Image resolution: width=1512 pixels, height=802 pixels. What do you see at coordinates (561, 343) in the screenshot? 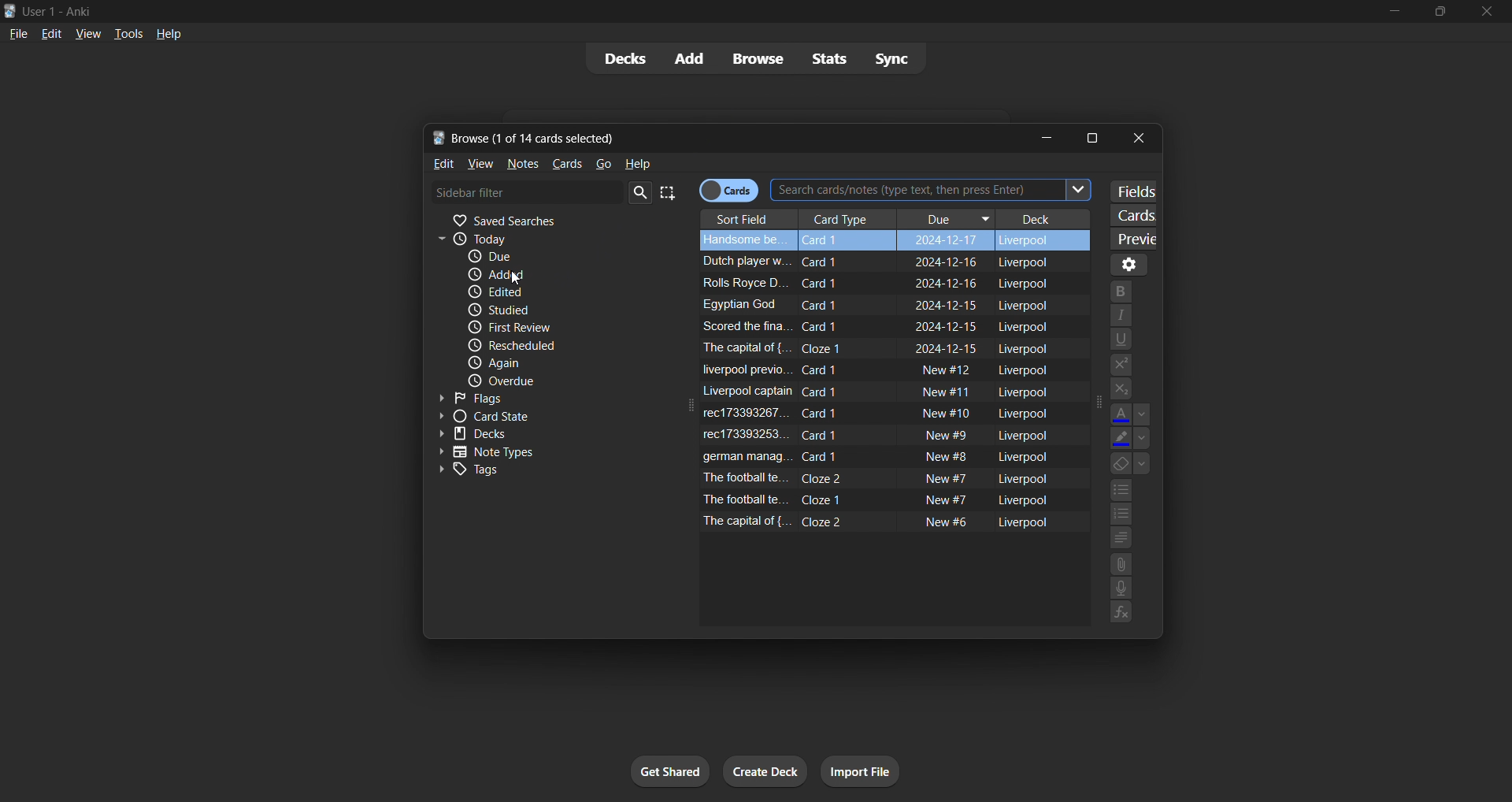
I see `rescheduled` at bounding box center [561, 343].